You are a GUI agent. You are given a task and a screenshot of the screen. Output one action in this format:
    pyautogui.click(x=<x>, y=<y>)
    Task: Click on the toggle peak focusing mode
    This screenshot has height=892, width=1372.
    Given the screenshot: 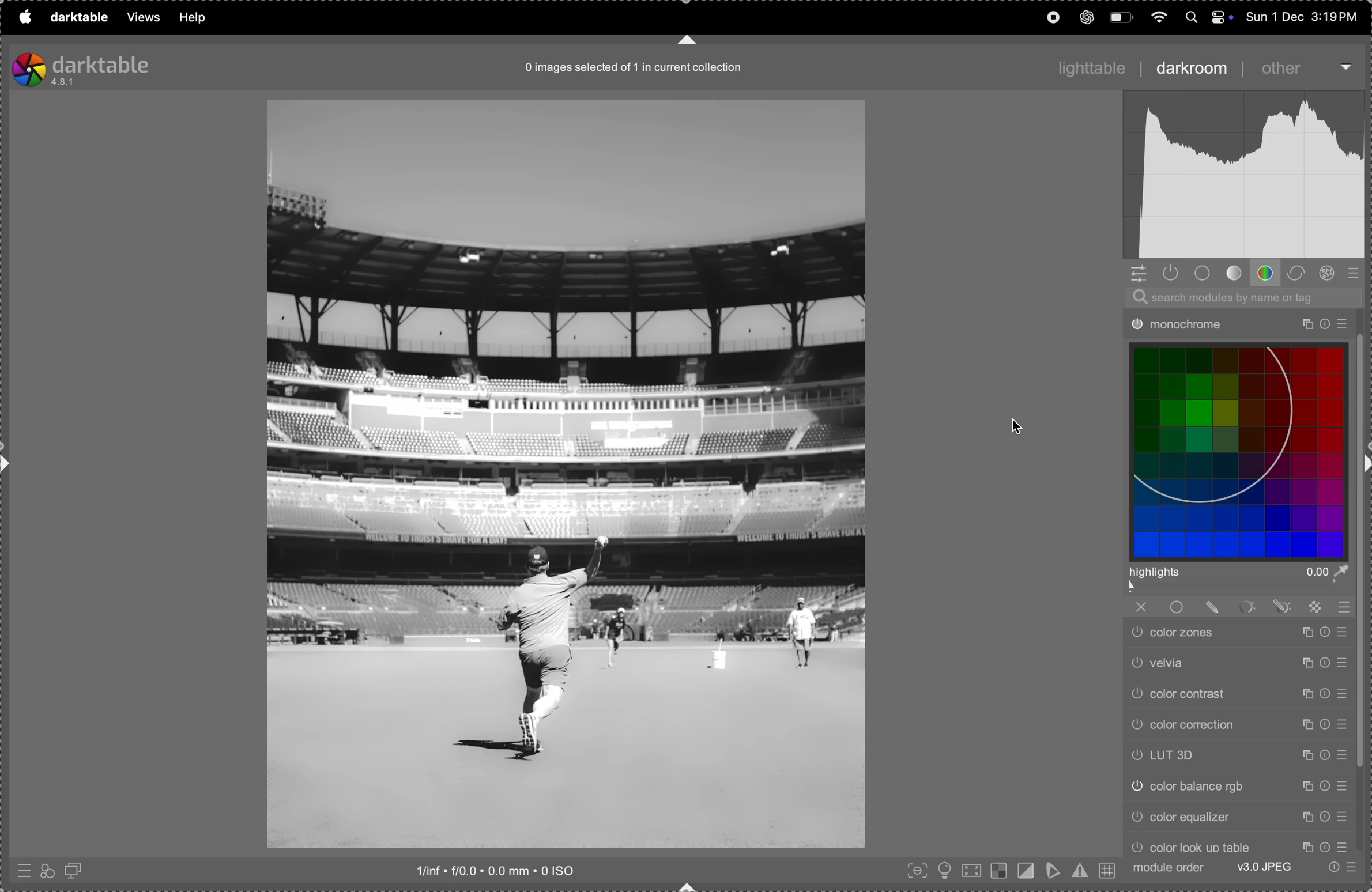 What is the action you would take?
    pyautogui.click(x=914, y=871)
    